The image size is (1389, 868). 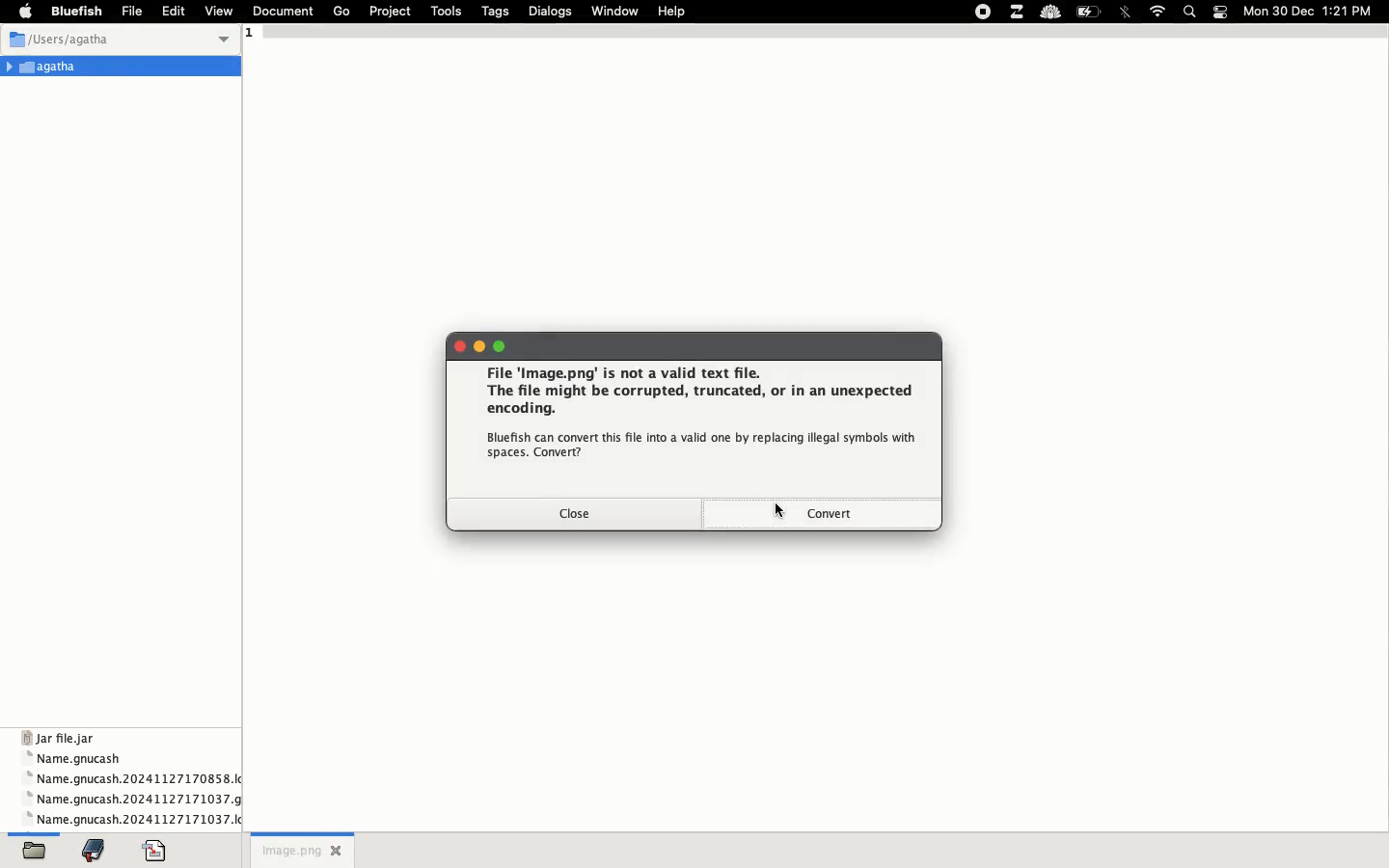 I want to click on close, so click(x=458, y=346).